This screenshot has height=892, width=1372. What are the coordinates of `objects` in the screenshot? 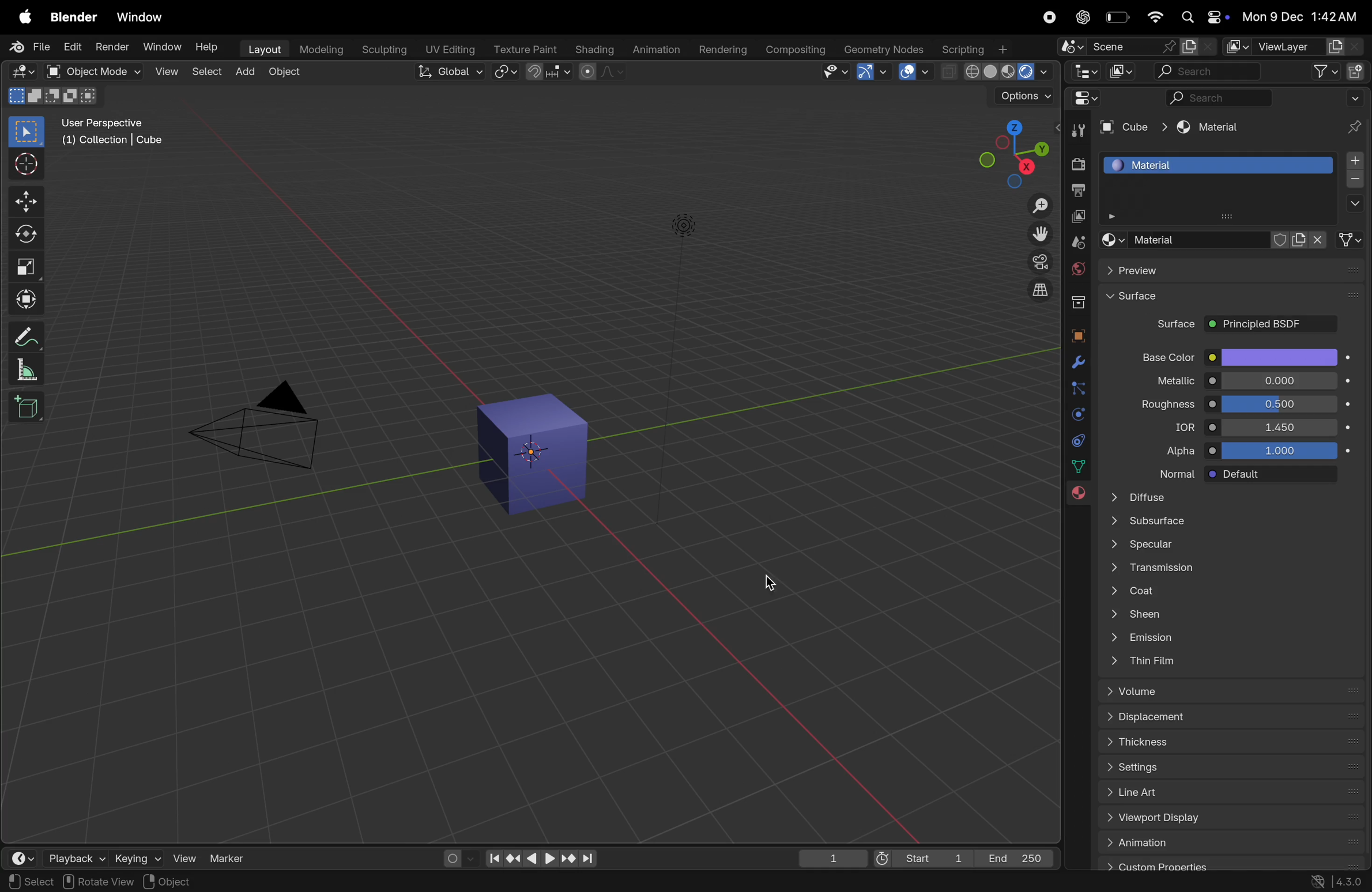 It's located at (1075, 333).